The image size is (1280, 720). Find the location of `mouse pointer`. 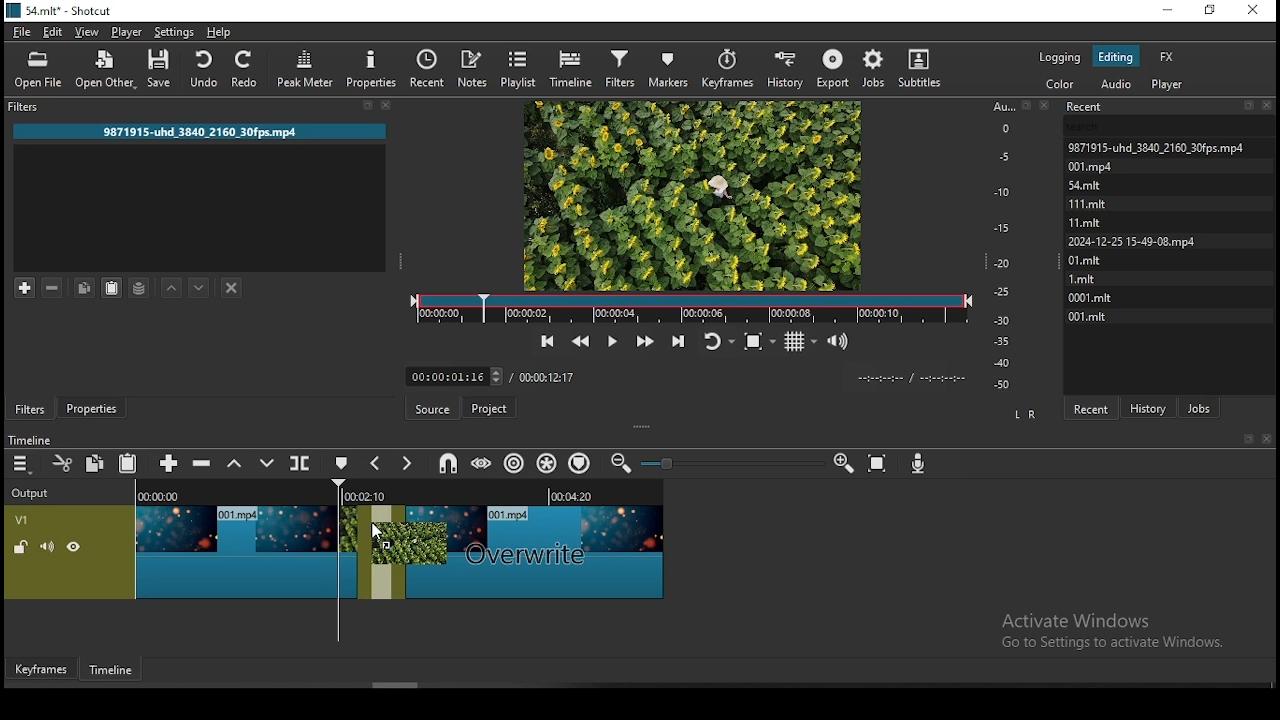

mouse pointer is located at coordinates (383, 537).